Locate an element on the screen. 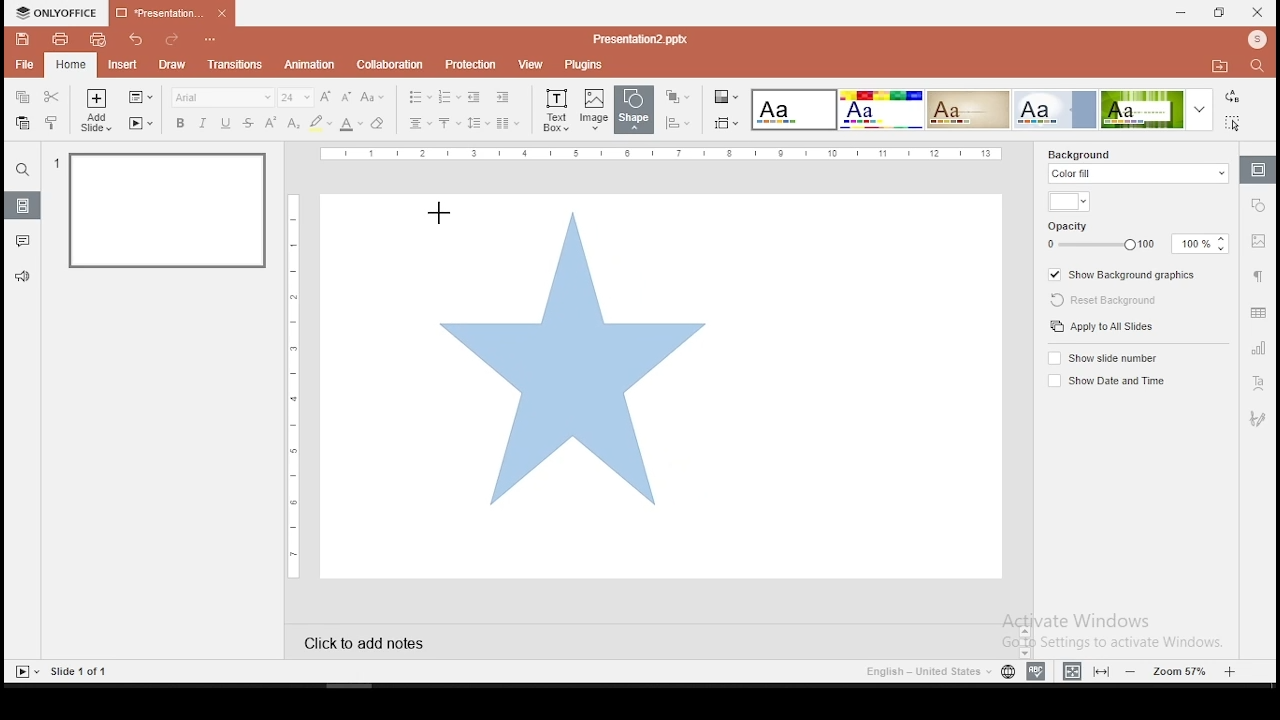 This screenshot has height=720, width=1280. start slideshow is located at coordinates (141, 123).